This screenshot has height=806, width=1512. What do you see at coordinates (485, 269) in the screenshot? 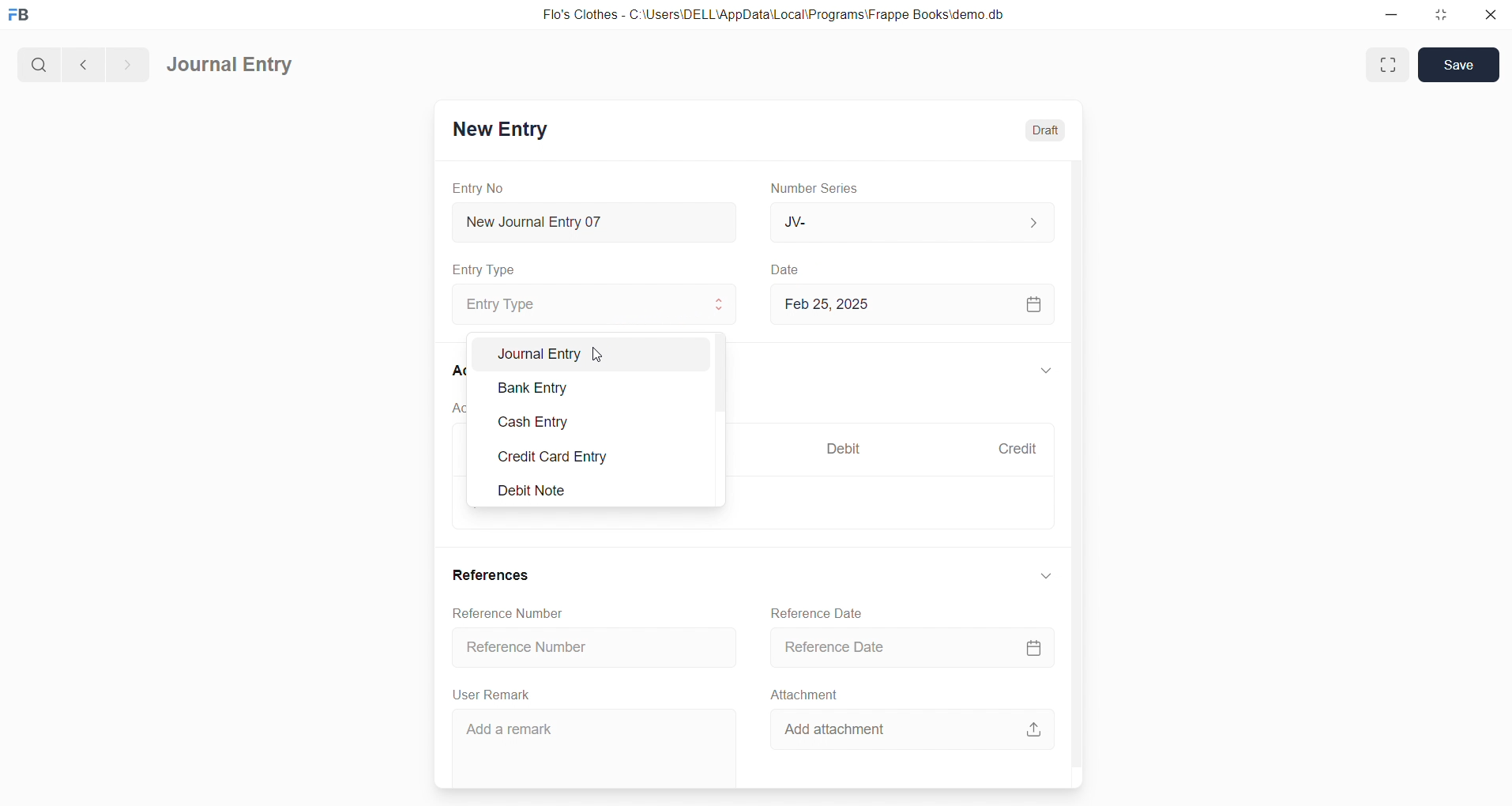
I see `Entry Type` at bounding box center [485, 269].